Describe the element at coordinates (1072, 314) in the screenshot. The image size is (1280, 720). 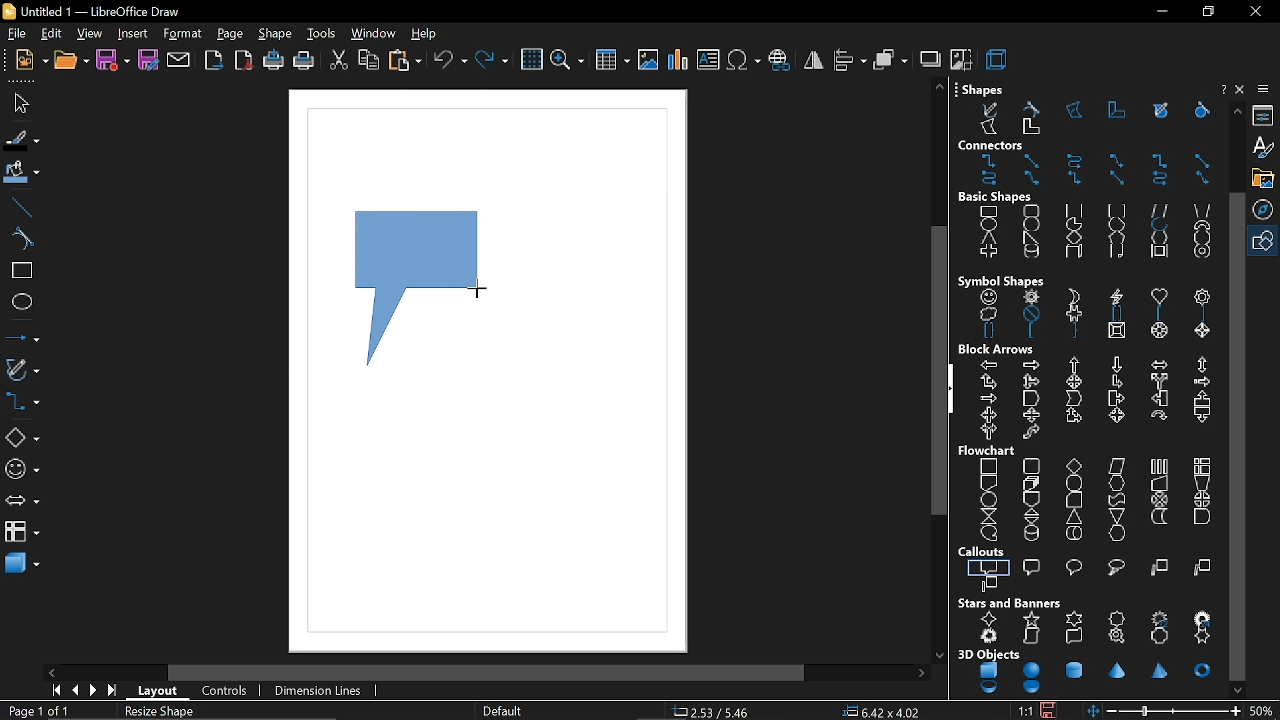
I see `puzzle` at that location.